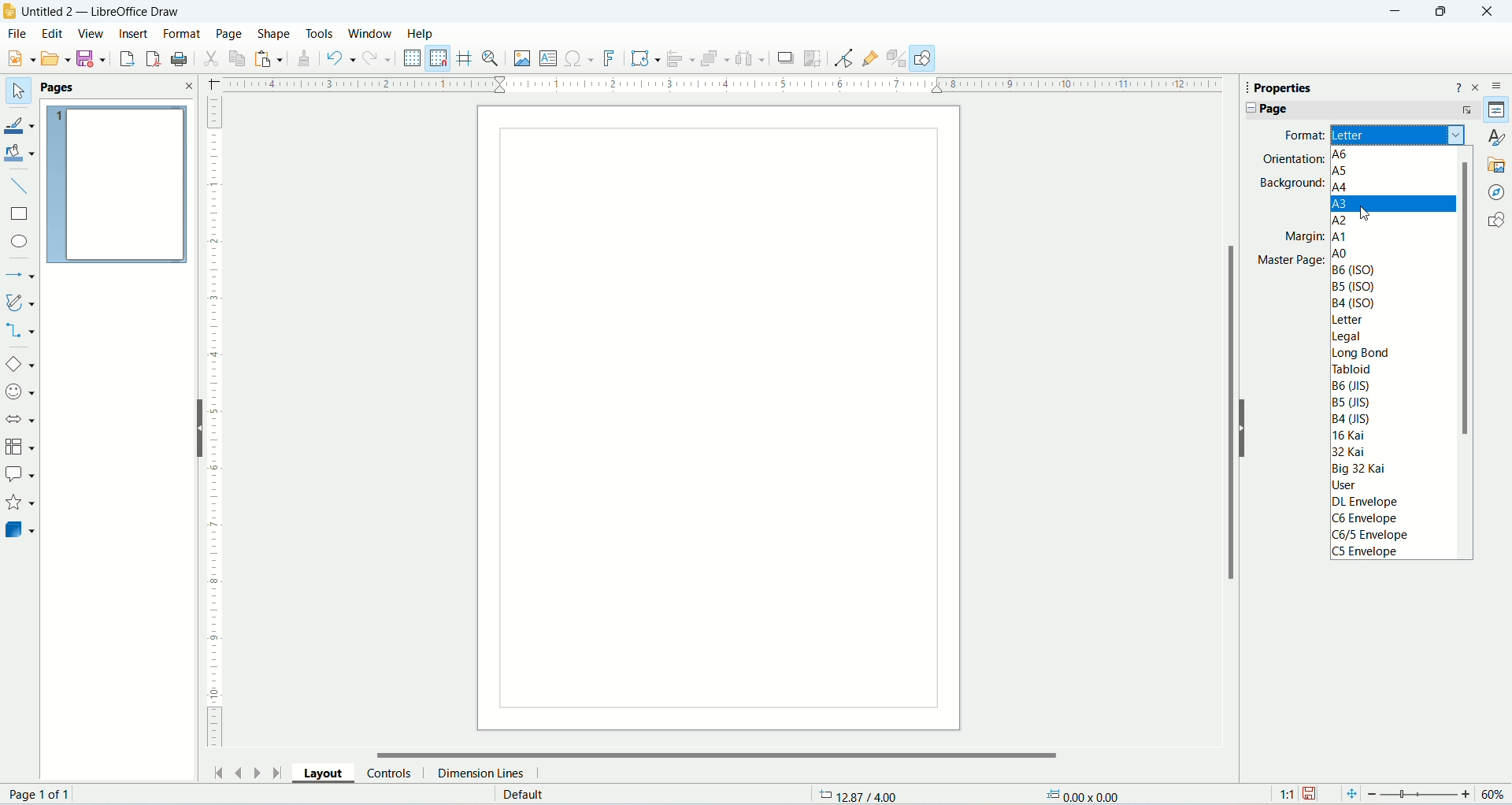  What do you see at coordinates (20, 422) in the screenshot?
I see `block arrows` at bounding box center [20, 422].